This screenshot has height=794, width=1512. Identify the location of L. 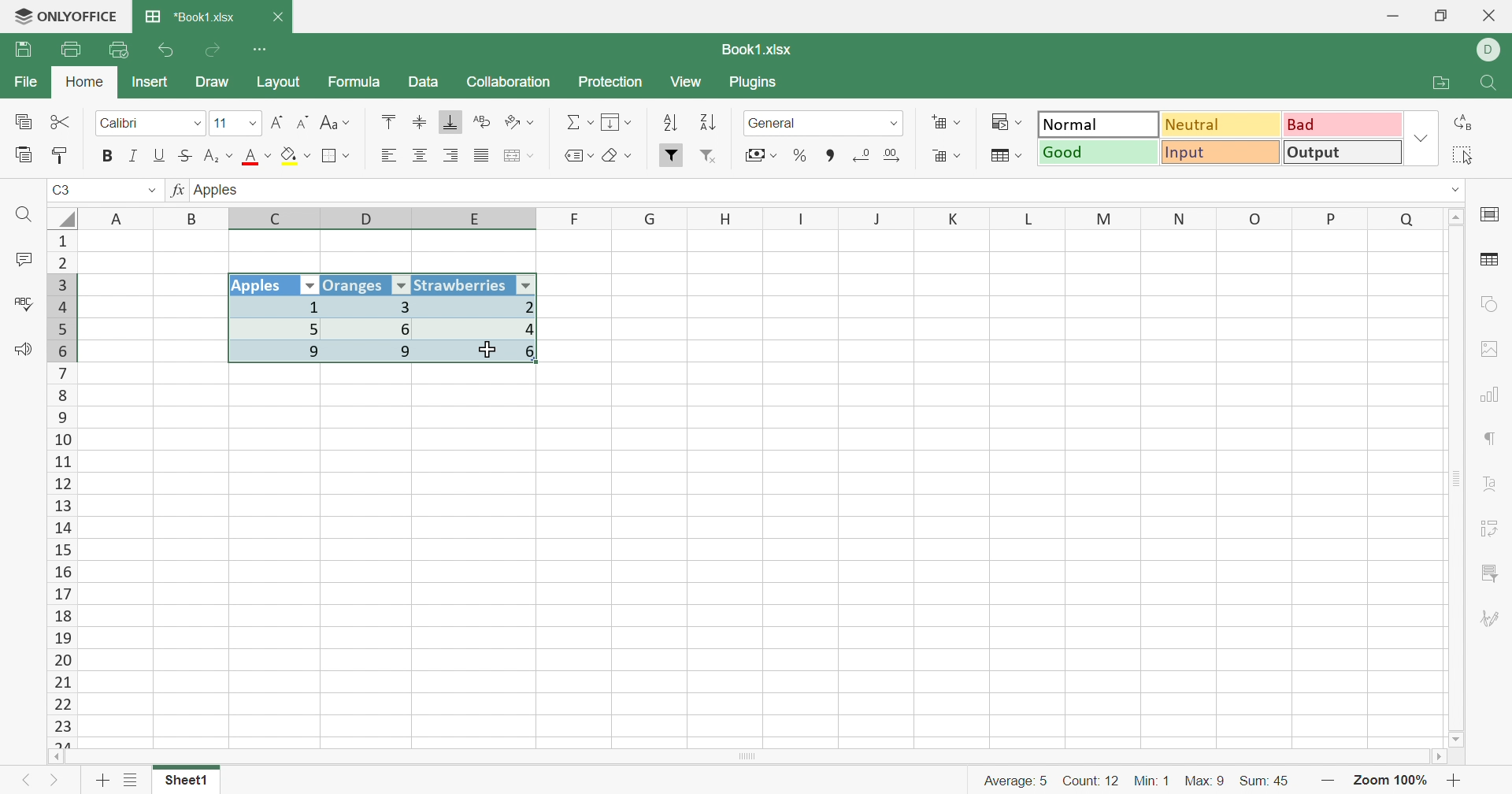
(1033, 217).